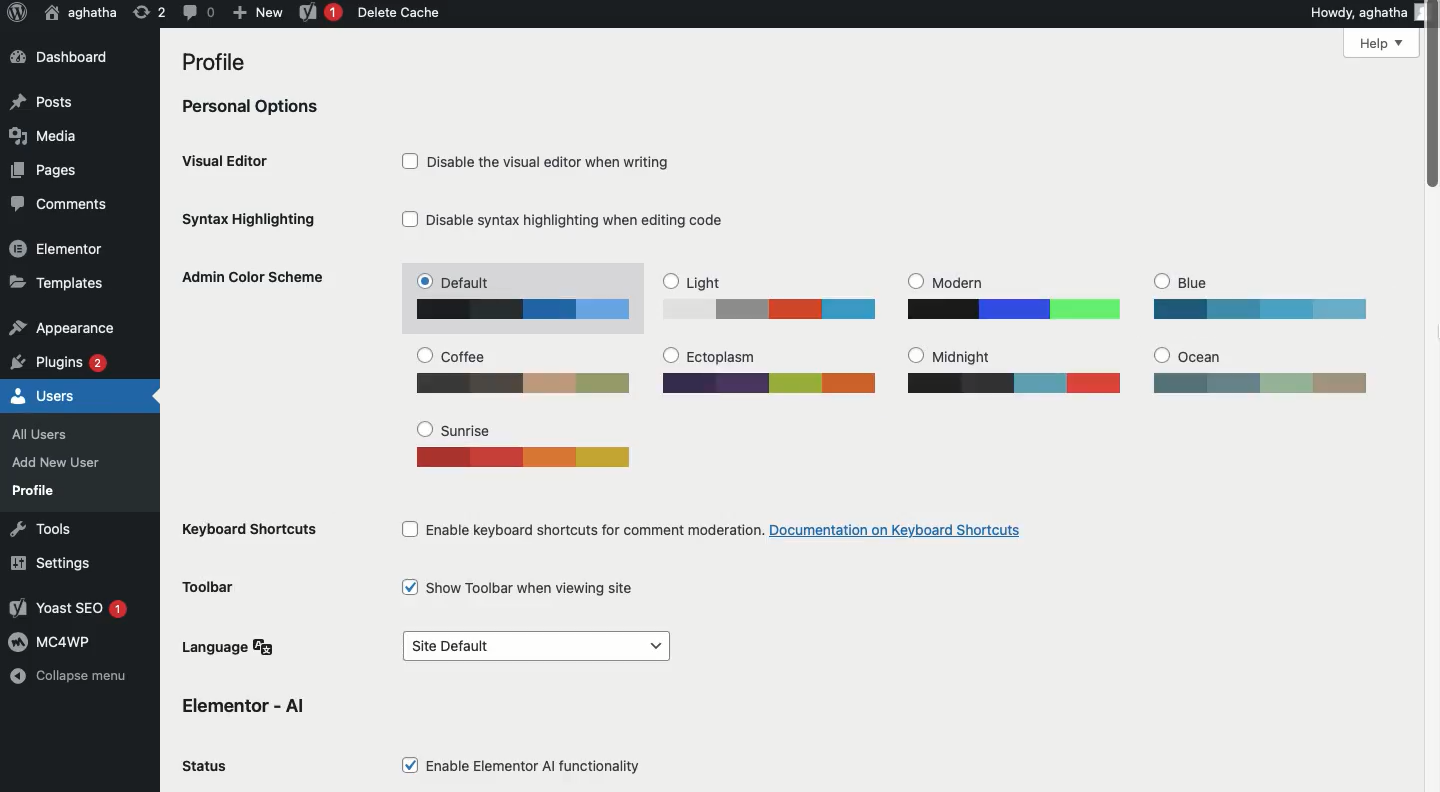  What do you see at coordinates (43, 104) in the screenshot?
I see `Posts` at bounding box center [43, 104].